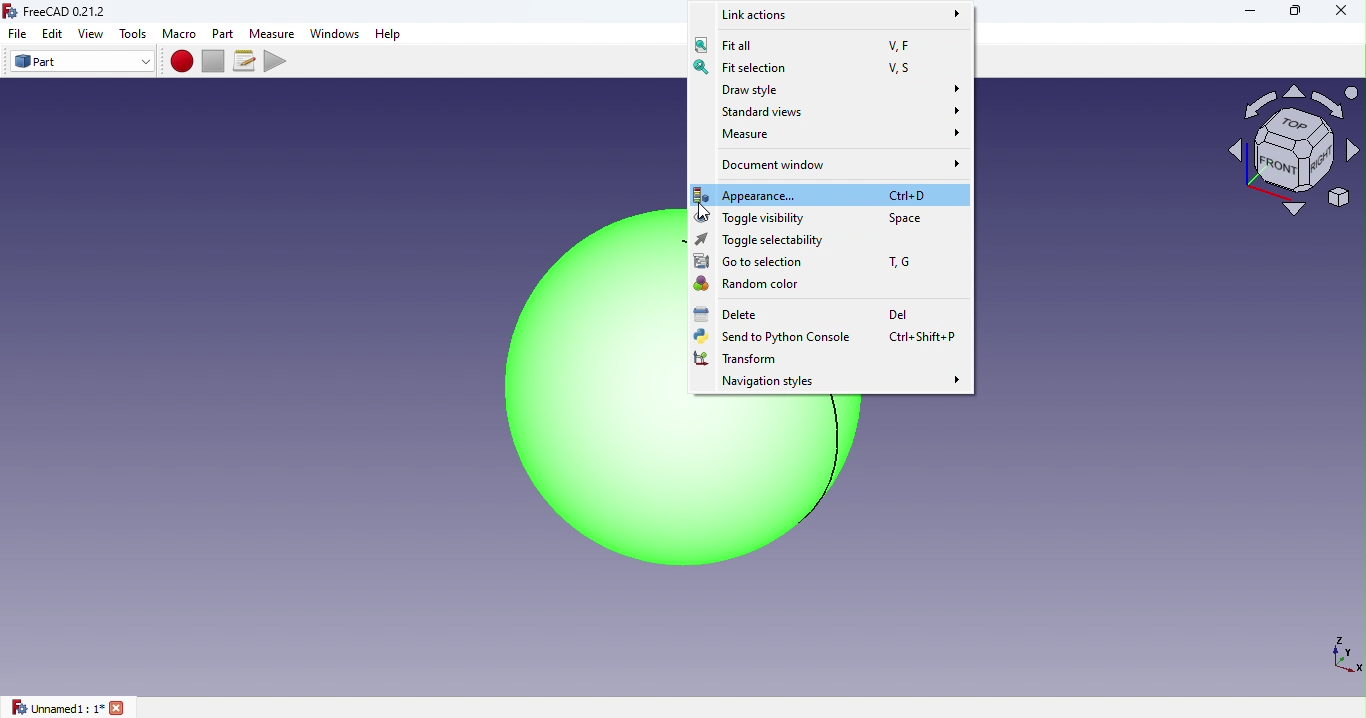 The width and height of the screenshot is (1366, 718). What do you see at coordinates (273, 32) in the screenshot?
I see `Measure` at bounding box center [273, 32].